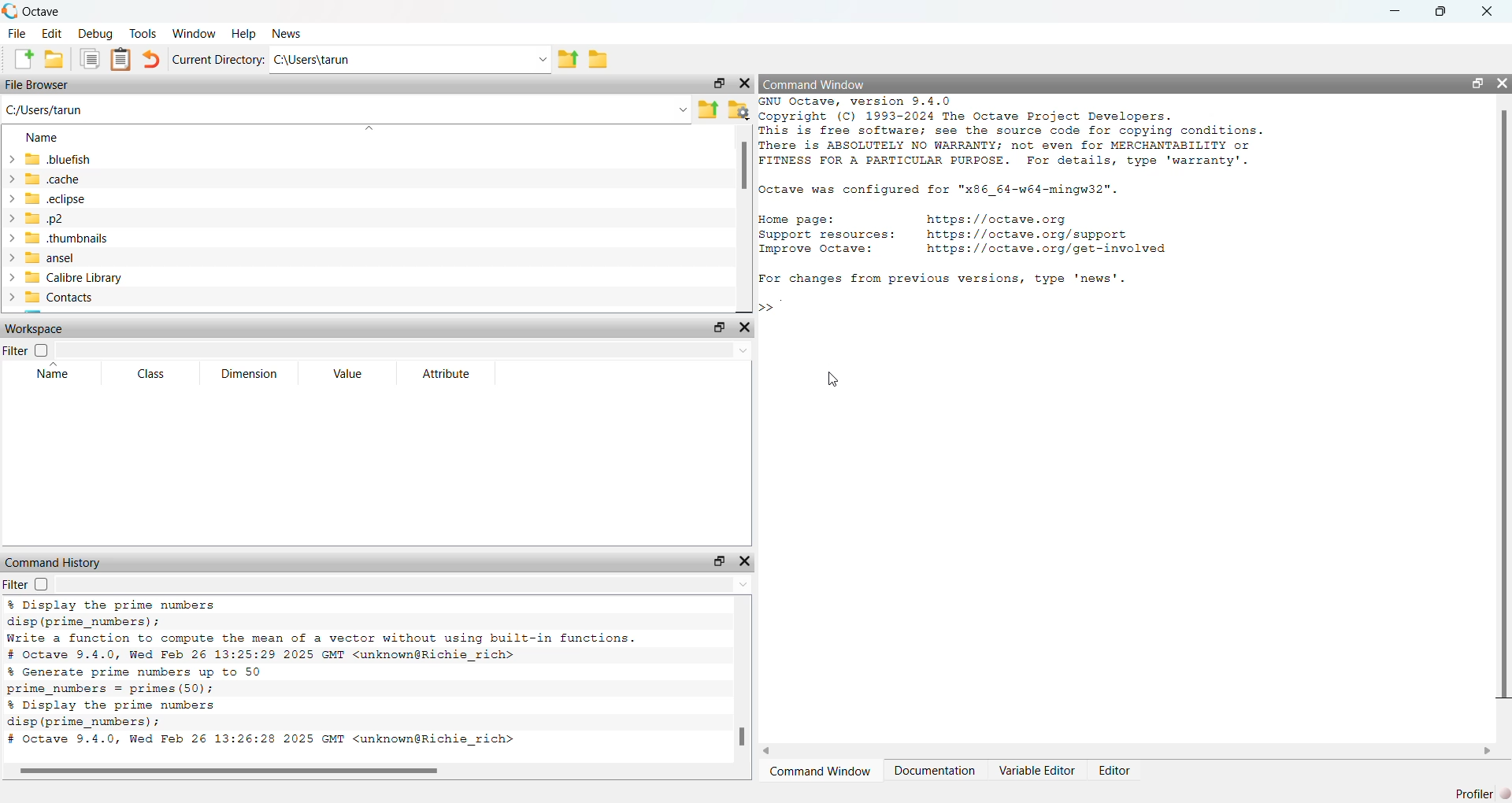 The width and height of the screenshot is (1512, 803). I want to click on Tools, so click(145, 34).